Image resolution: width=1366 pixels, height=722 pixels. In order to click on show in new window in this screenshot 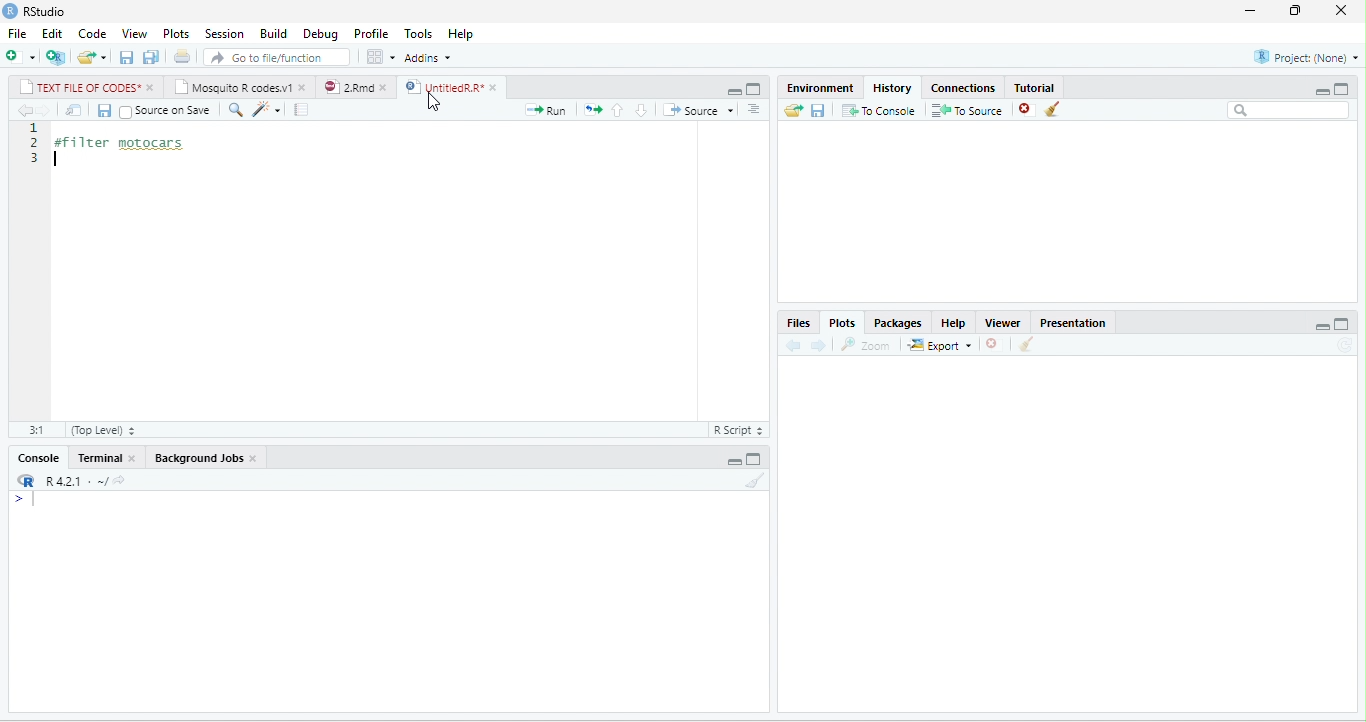, I will do `click(74, 110)`.